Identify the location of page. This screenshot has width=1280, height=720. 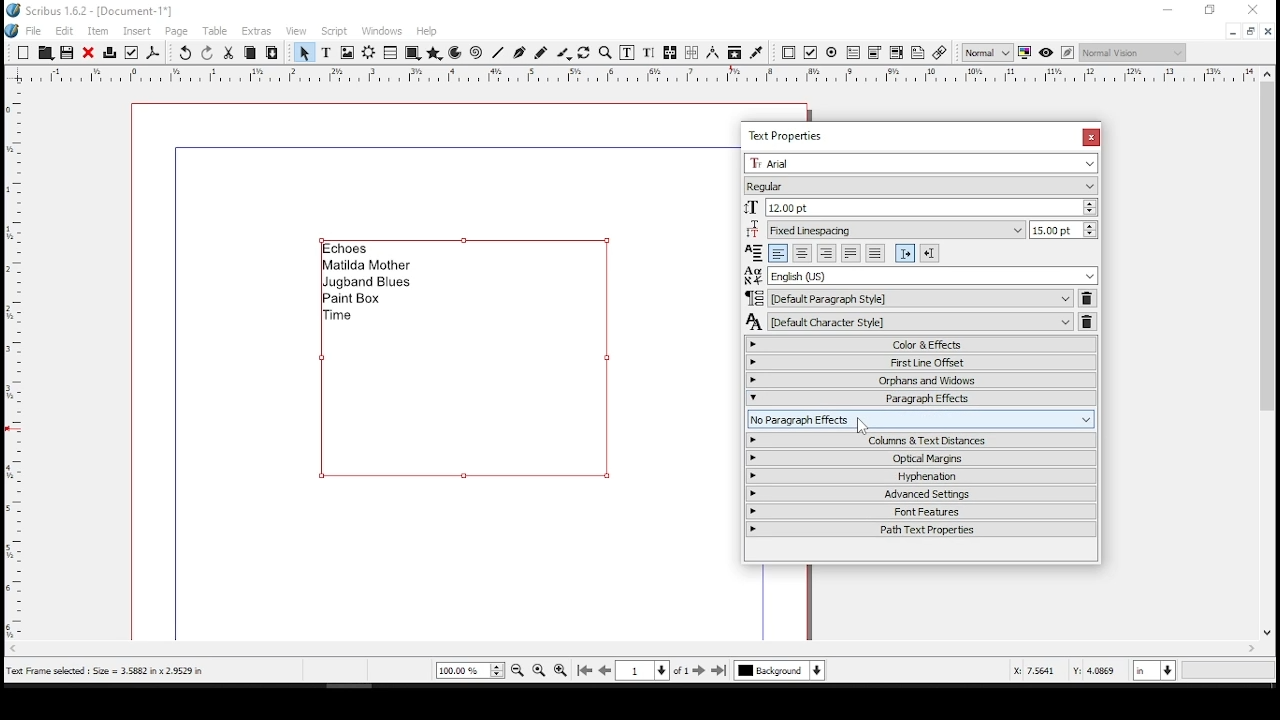
(178, 31).